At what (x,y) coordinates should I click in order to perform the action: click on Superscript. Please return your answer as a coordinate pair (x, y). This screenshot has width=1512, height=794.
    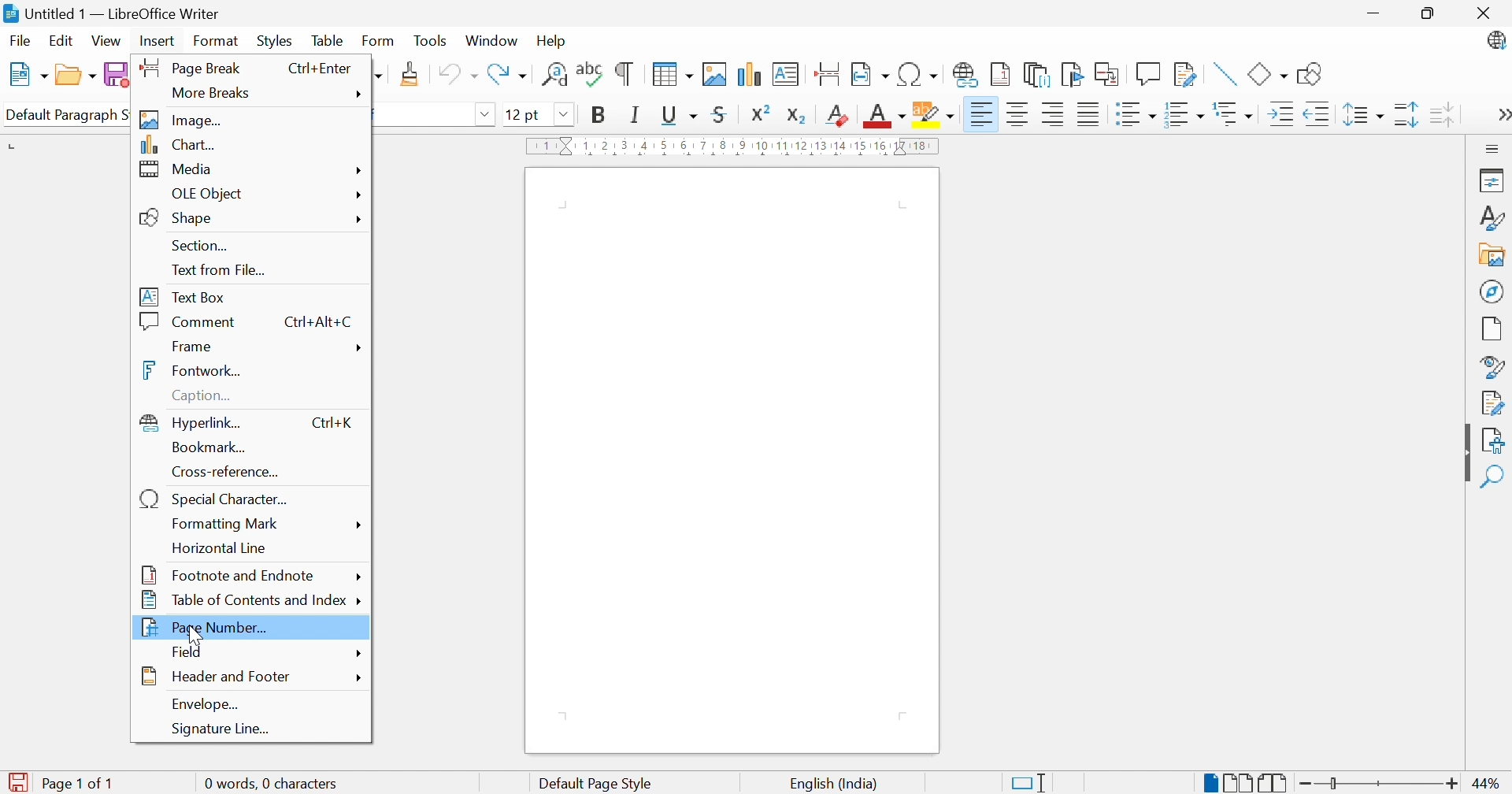
    Looking at the image, I should click on (761, 113).